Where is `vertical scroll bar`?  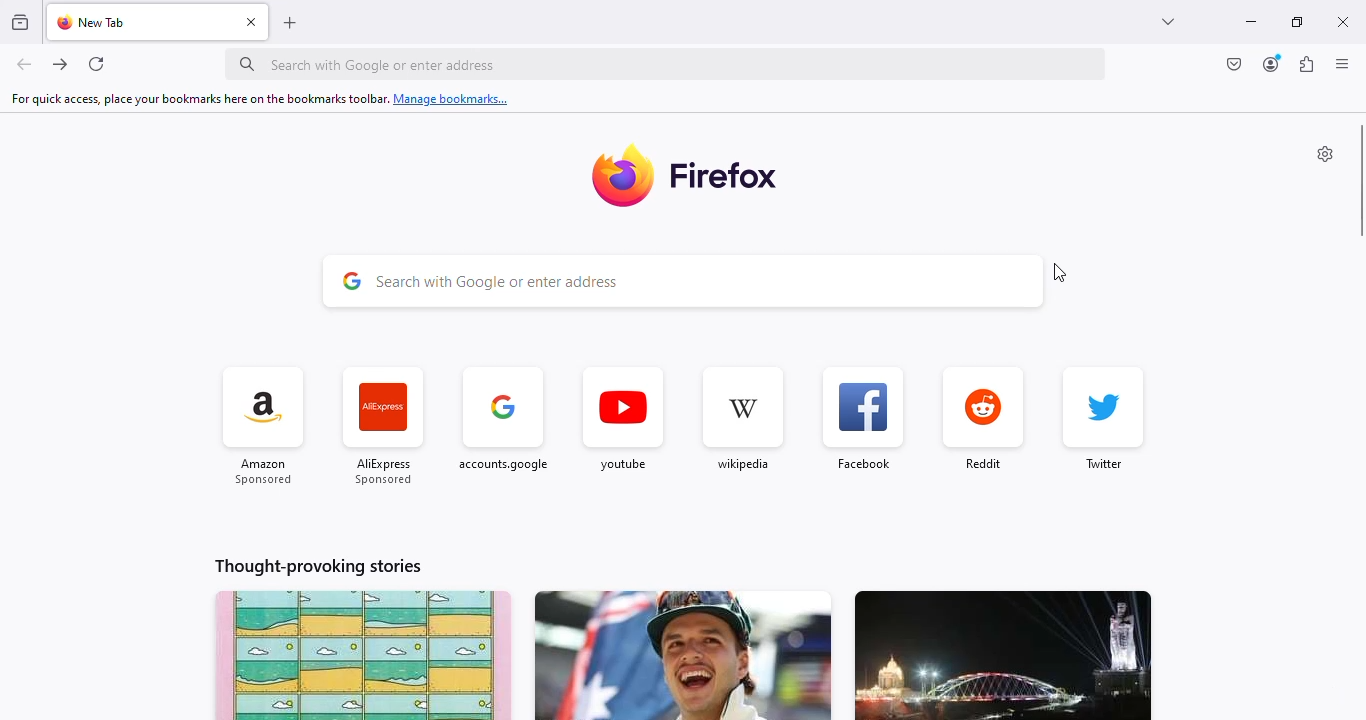 vertical scroll bar is located at coordinates (1363, 180).